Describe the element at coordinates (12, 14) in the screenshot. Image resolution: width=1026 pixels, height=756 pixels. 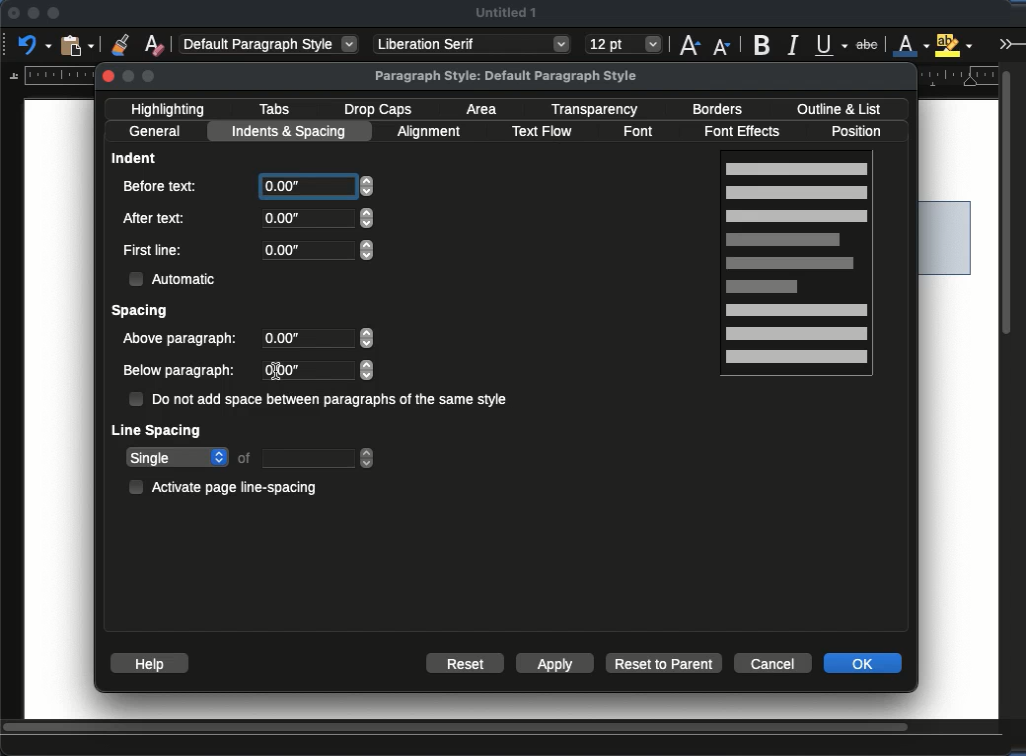
I see `close` at that location.